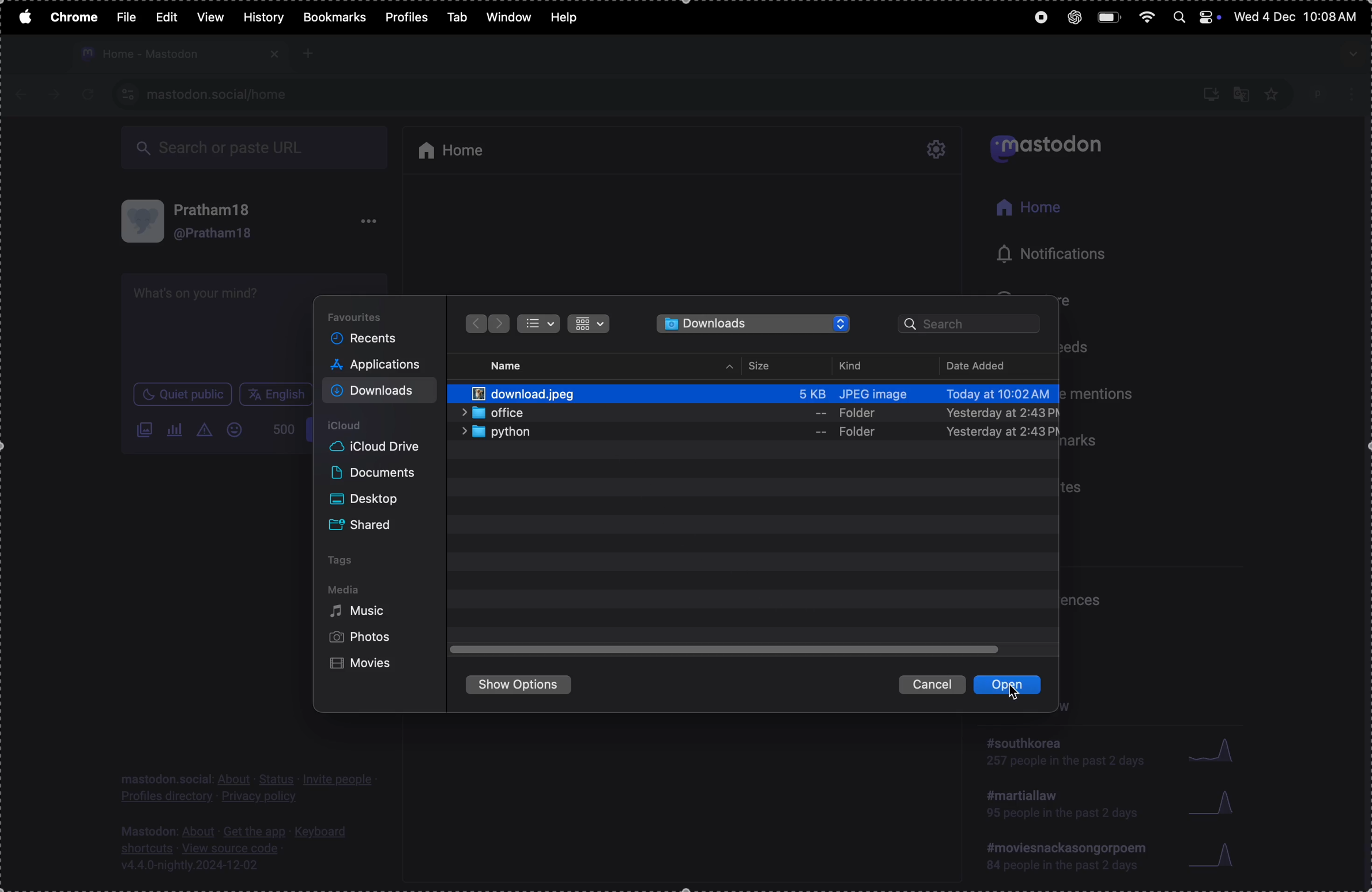  What do you see at coordinates (183, 396) in the screenshot?
I see `quiet place` at bounding box center [183, 396].